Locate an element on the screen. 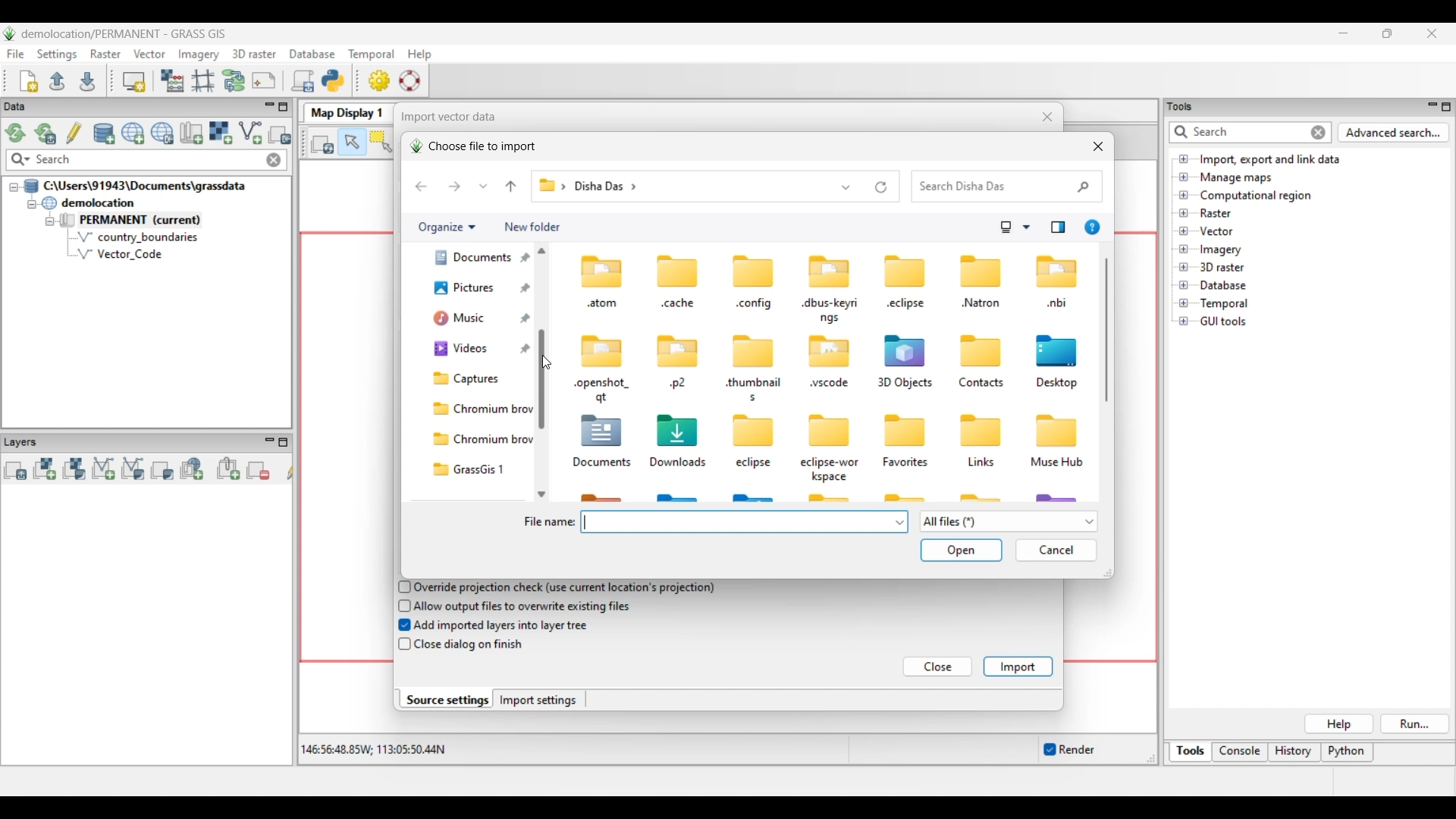  Double click to see files under GUI tools is located at coordinates (1224, 322).